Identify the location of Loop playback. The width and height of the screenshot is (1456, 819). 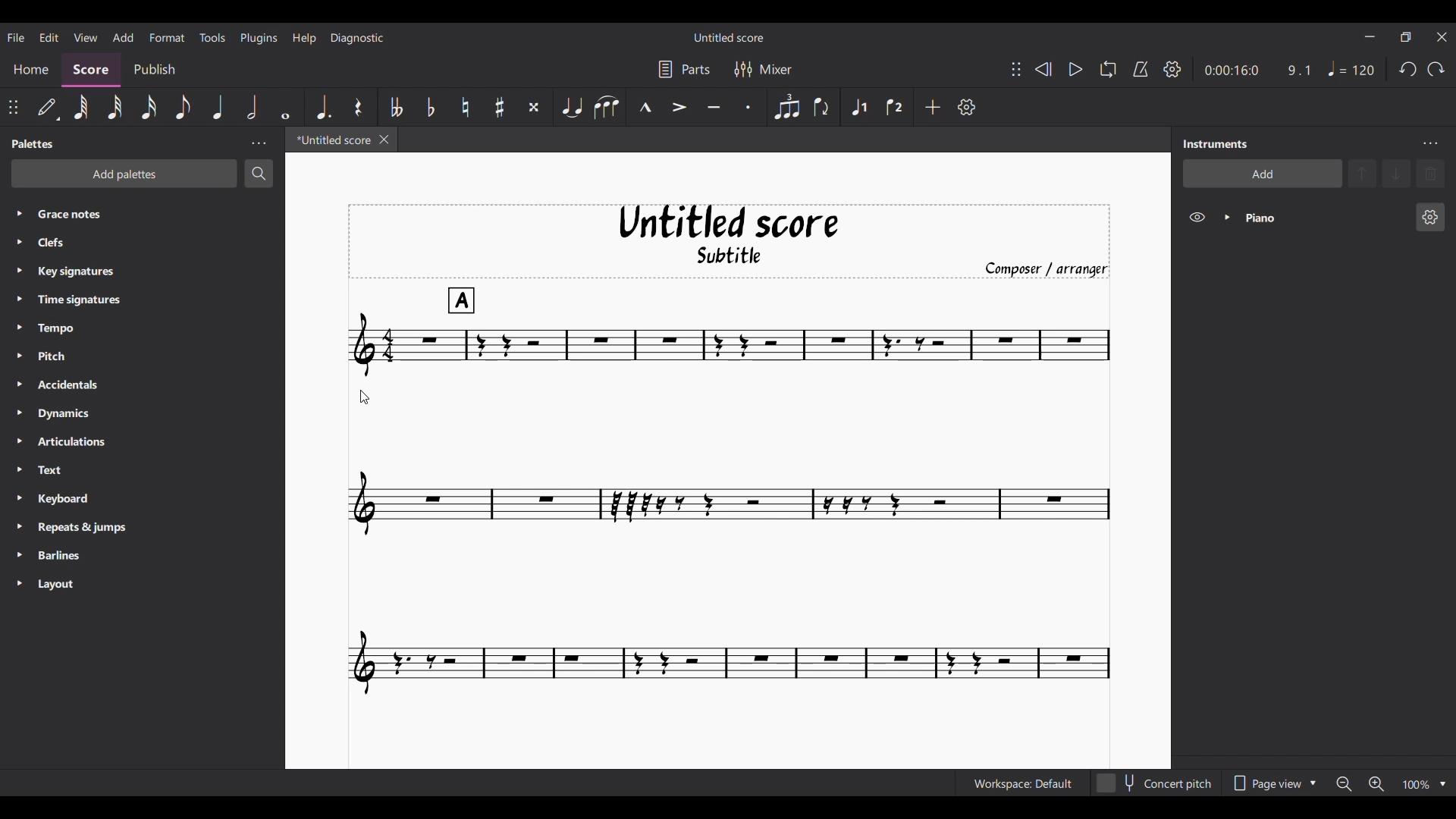
(1108, 69).